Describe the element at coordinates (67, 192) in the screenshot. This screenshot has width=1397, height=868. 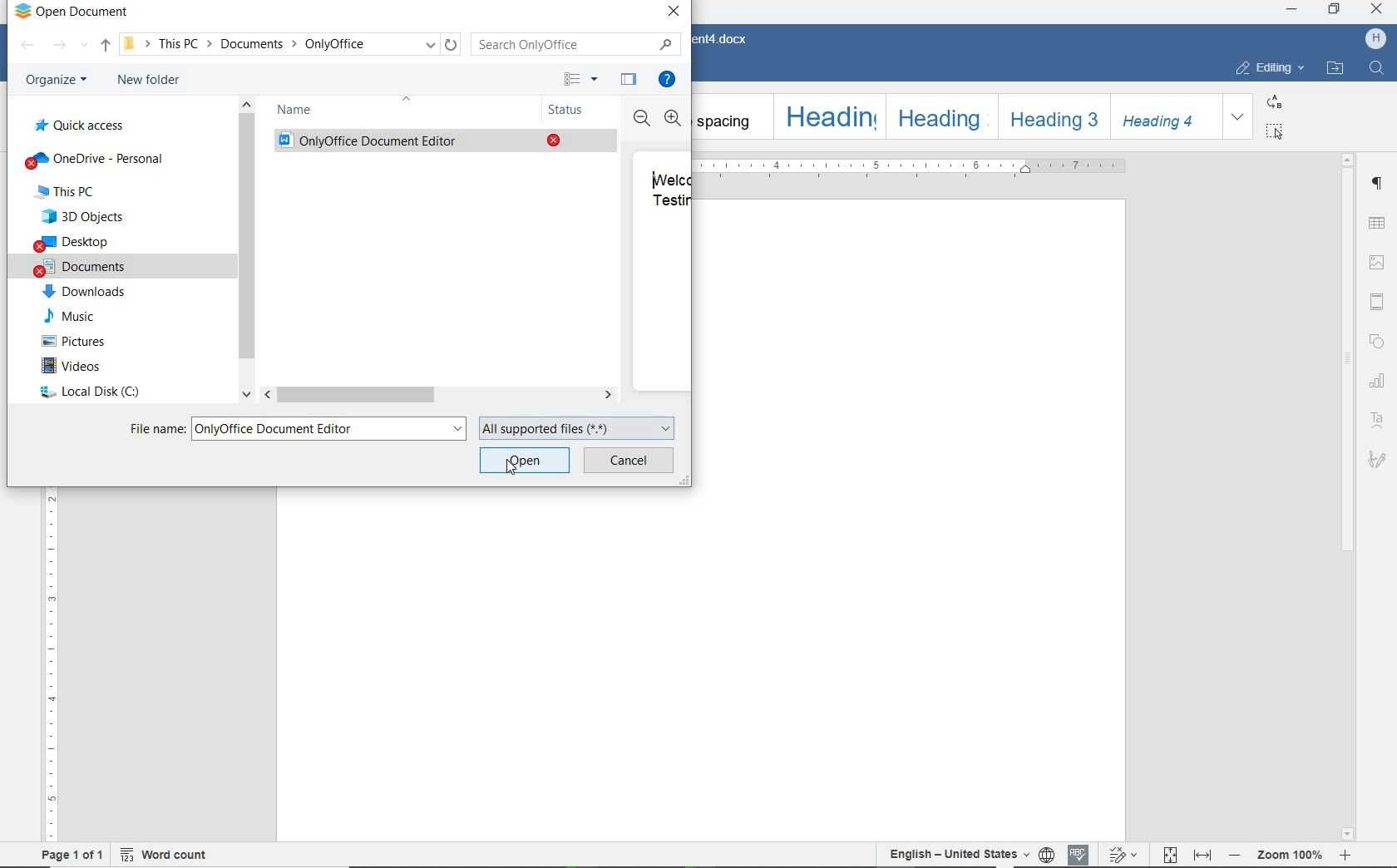
I see `This Pc` at that location.